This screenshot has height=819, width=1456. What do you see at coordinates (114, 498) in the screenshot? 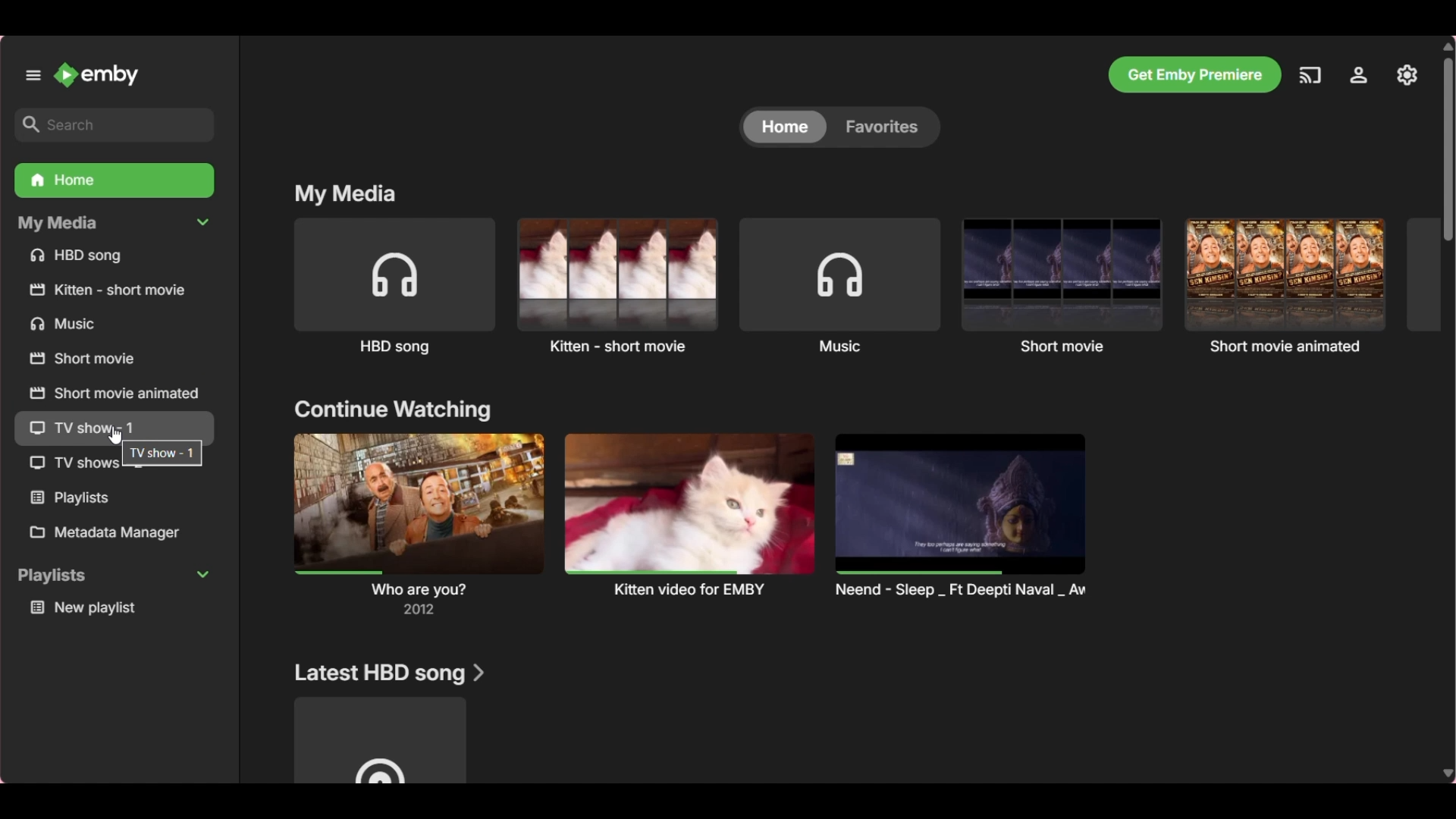
I see `Playlists` at bounding box center [114, 498].